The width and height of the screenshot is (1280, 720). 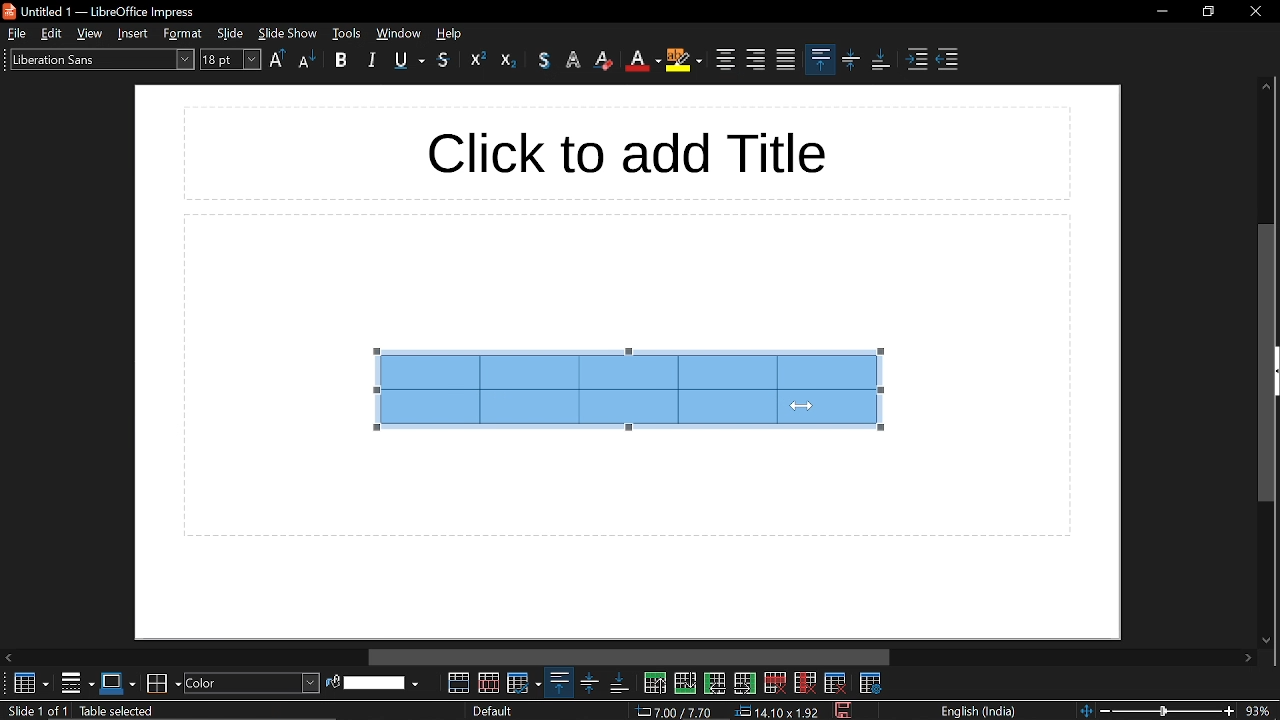 What do you see at coordinates (309, 59) in the screenshot?
I see `lower case` at bounding box center [309, 59].